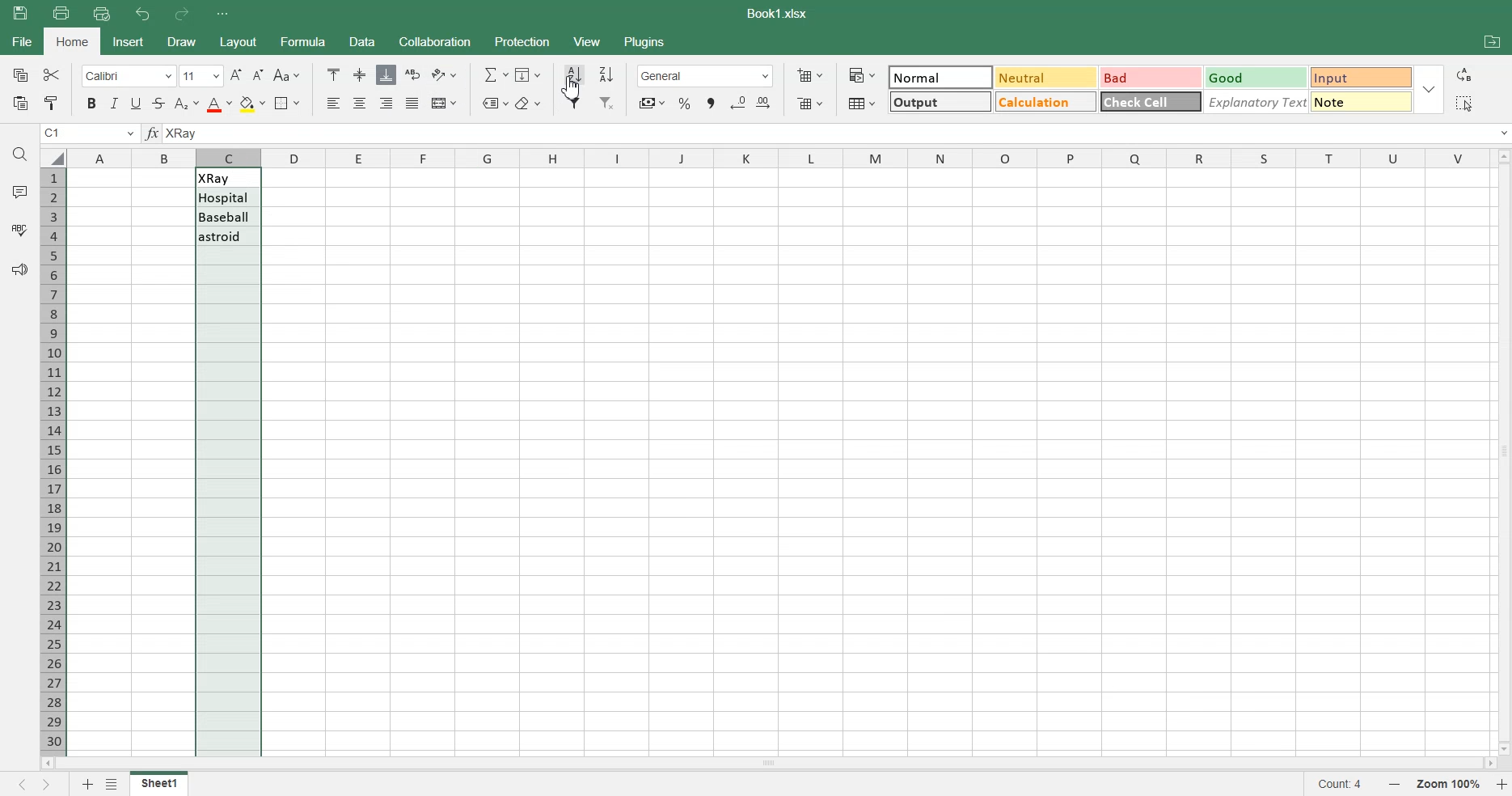 This screenshot has height=796, width=1512. Describe the element at coordinates (361, 41) in the screenshot. I see `Data` at that location.